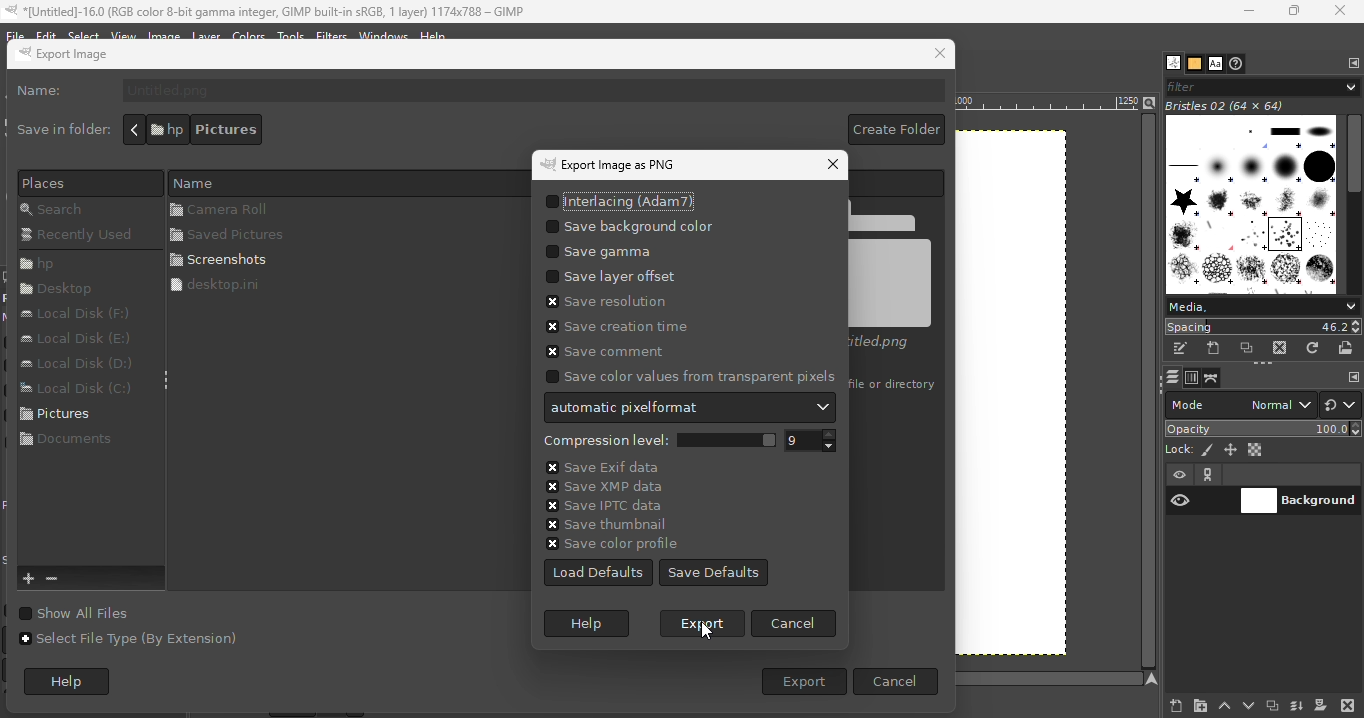  Describe the element at coordinates (620, 328) in the screenshot. I see `save creation time` at that location.